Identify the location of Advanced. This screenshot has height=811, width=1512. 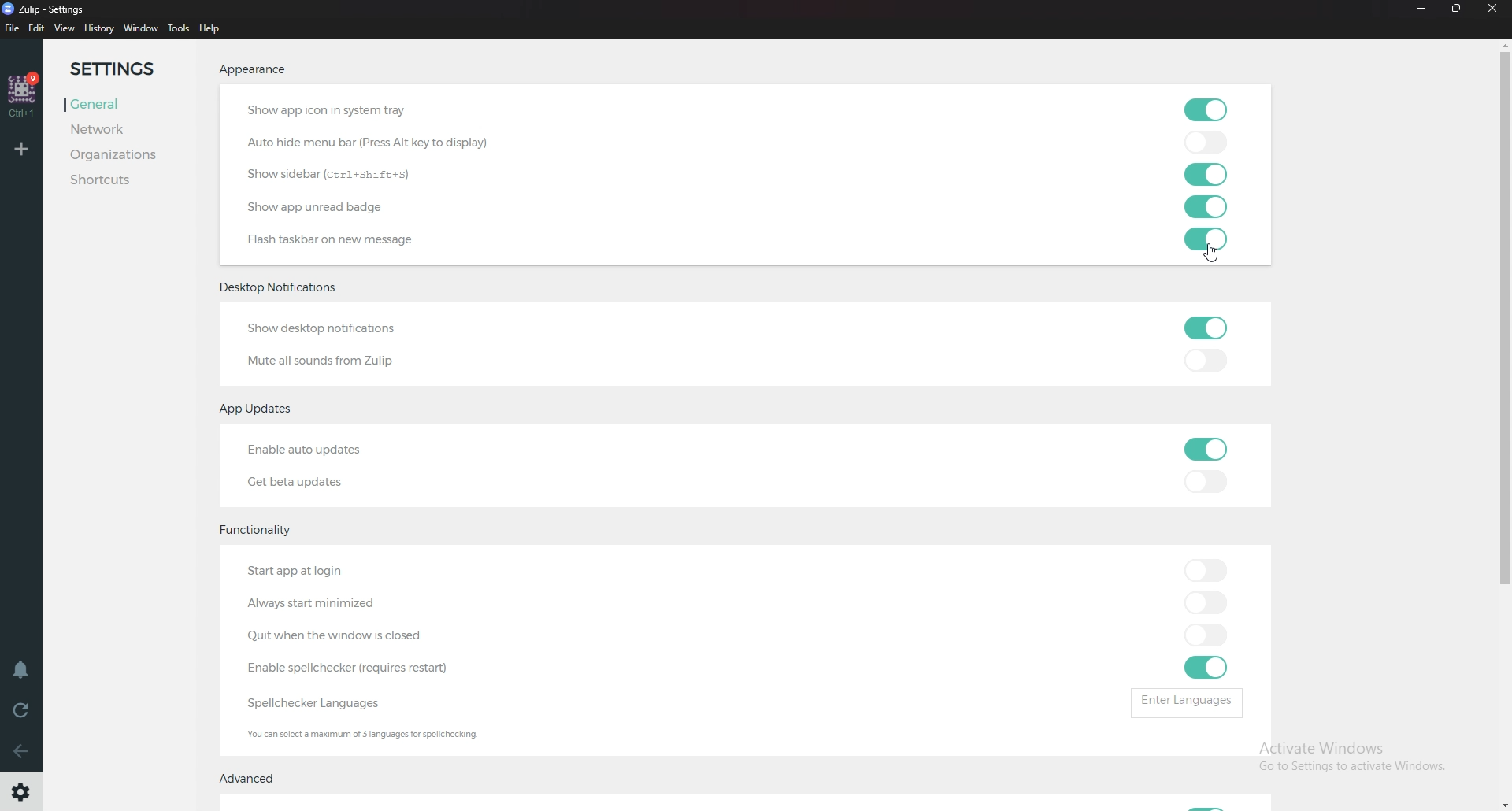
(252, 779).